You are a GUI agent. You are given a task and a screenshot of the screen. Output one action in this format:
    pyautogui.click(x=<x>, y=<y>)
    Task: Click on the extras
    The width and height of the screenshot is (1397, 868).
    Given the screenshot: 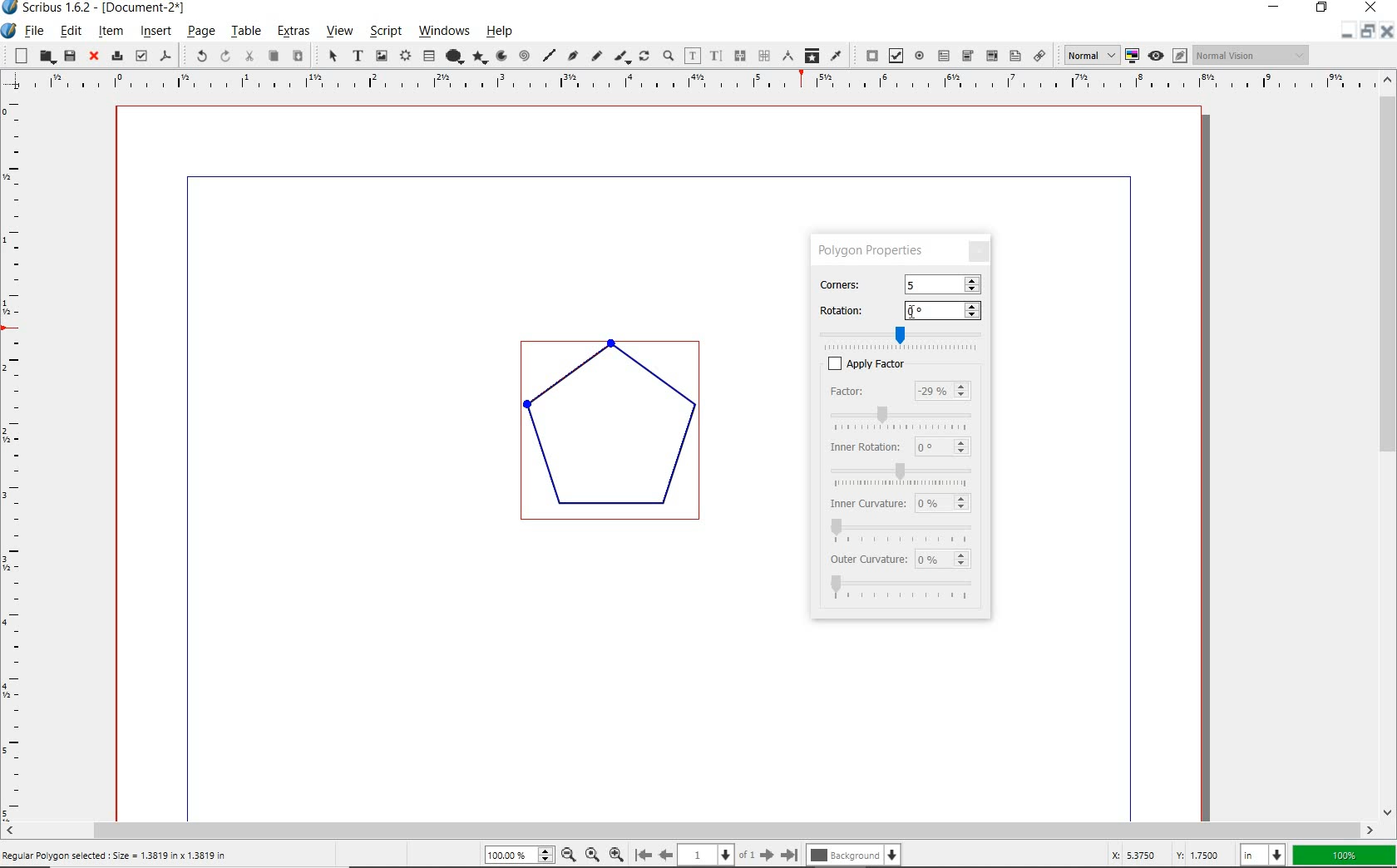 What is the action you would take?
    pyautogui.click(x=290, y=31)
    